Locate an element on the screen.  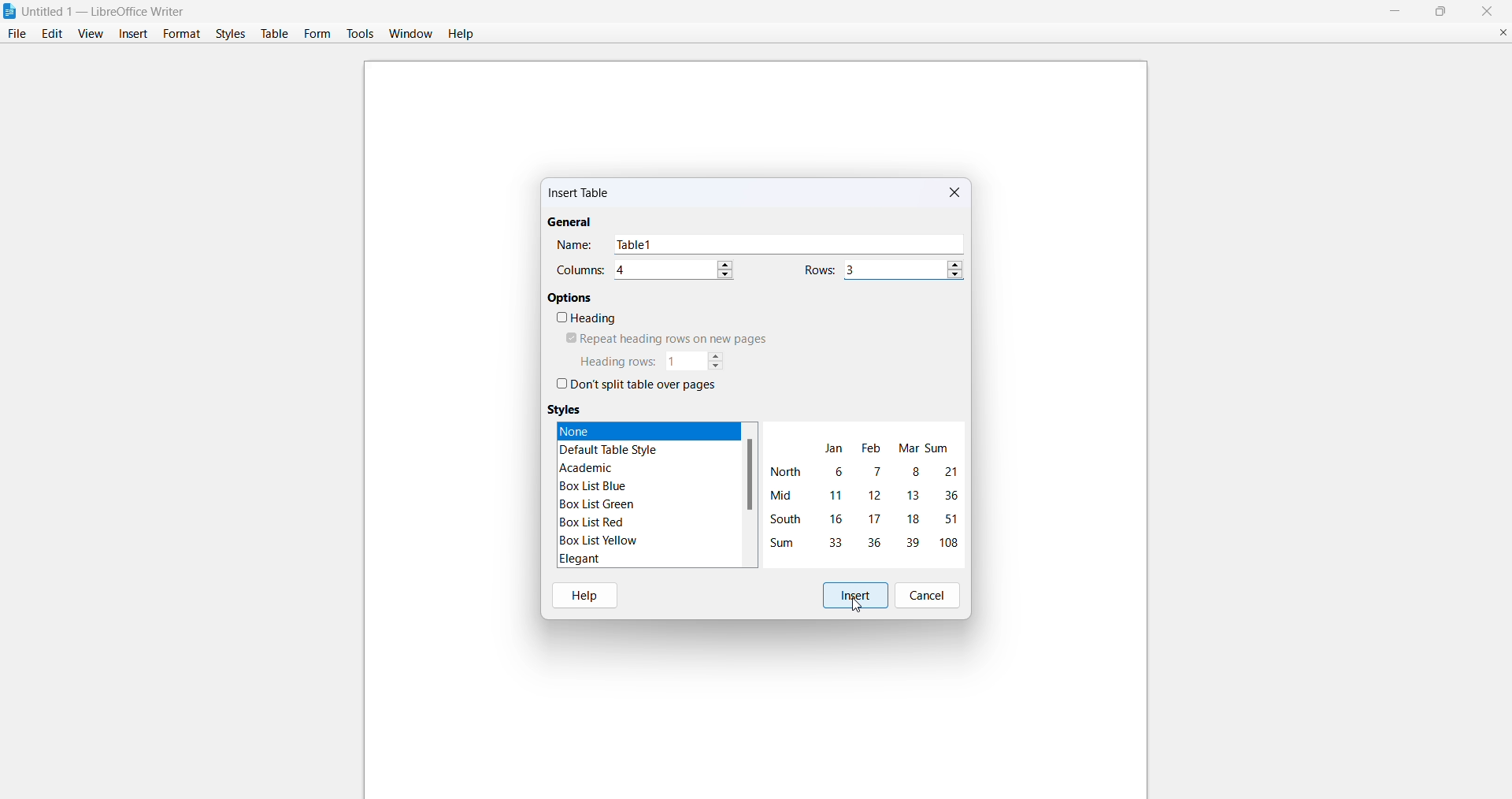
table format is located at coordinates (863, 493).